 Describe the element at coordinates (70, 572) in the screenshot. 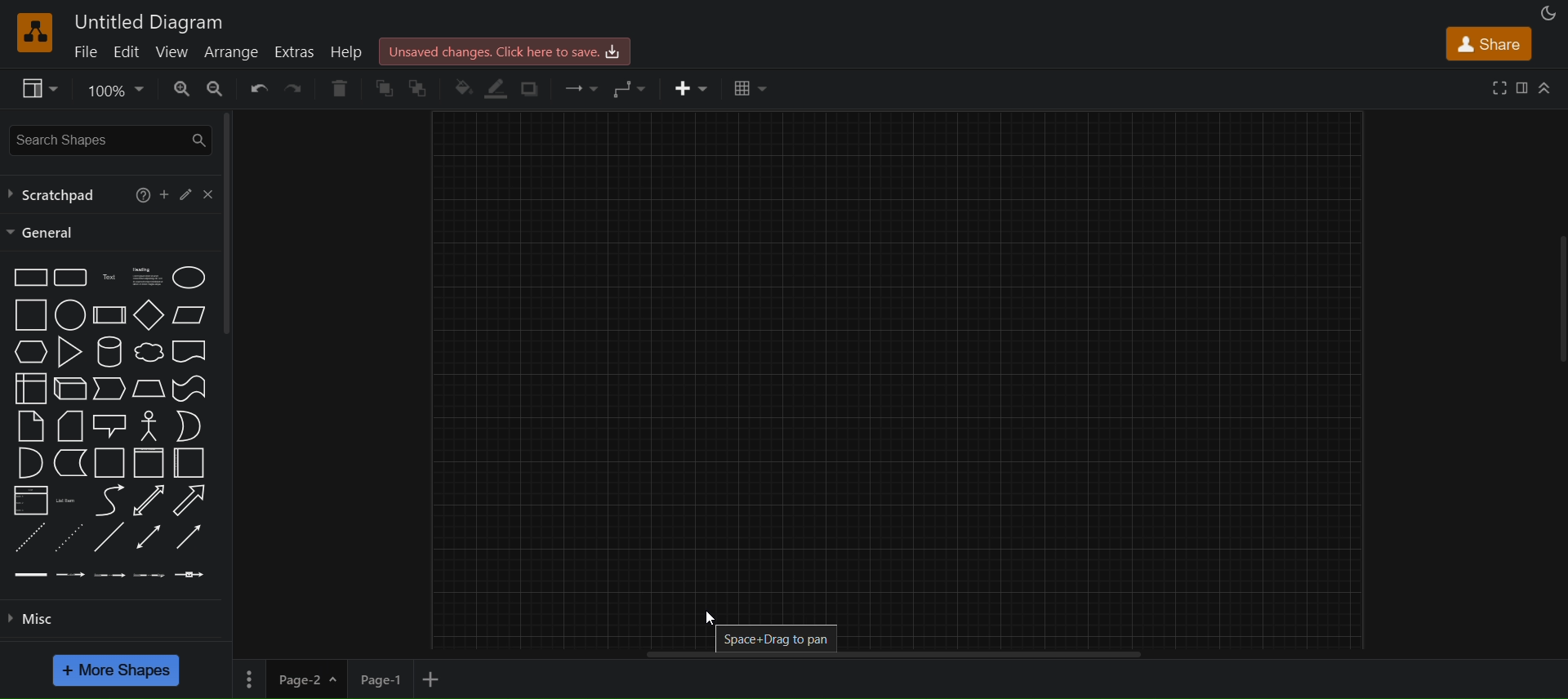

I see `connector with 1 label` at that location.